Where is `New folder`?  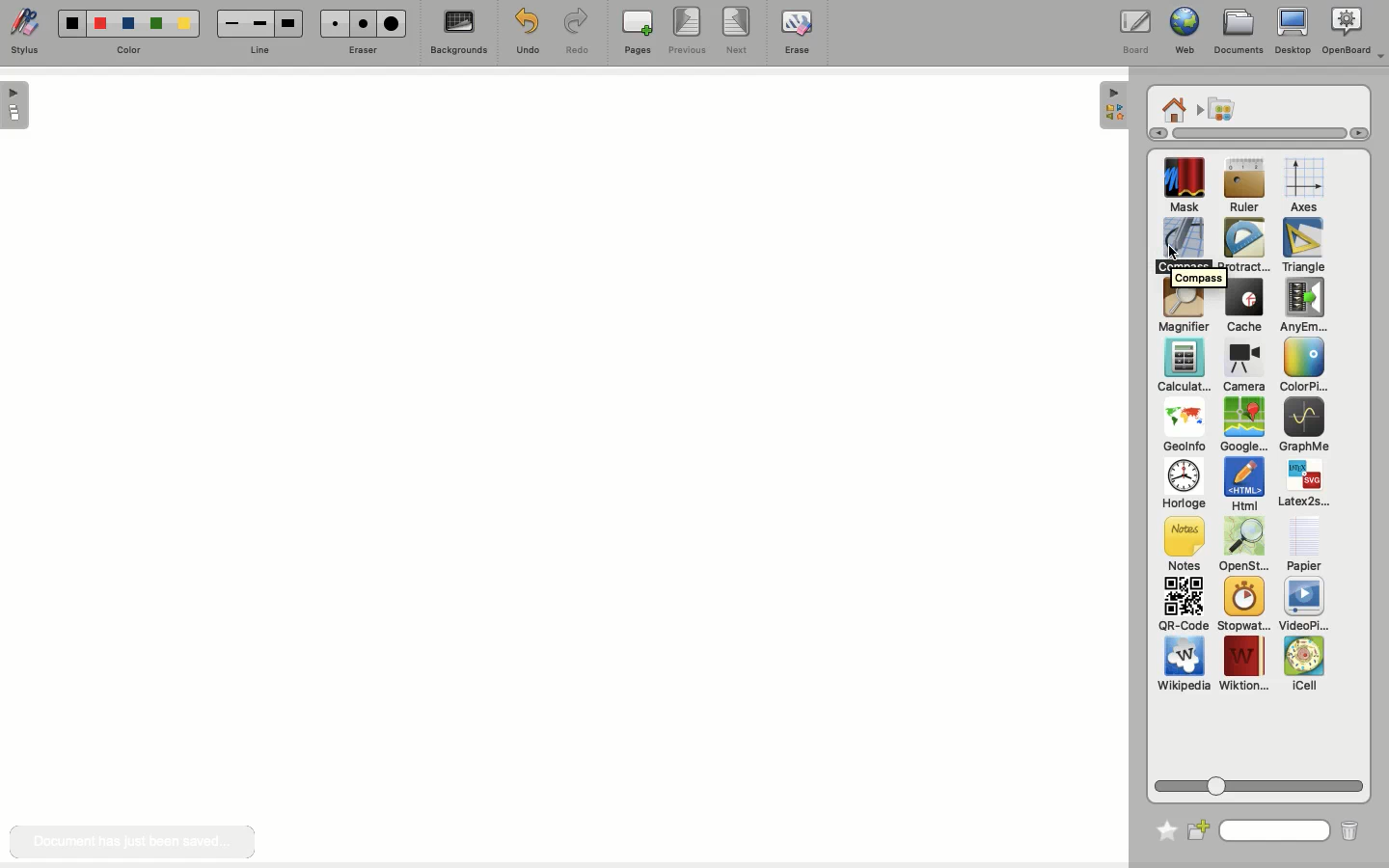
New folder is located at coordinates (1200, 828).